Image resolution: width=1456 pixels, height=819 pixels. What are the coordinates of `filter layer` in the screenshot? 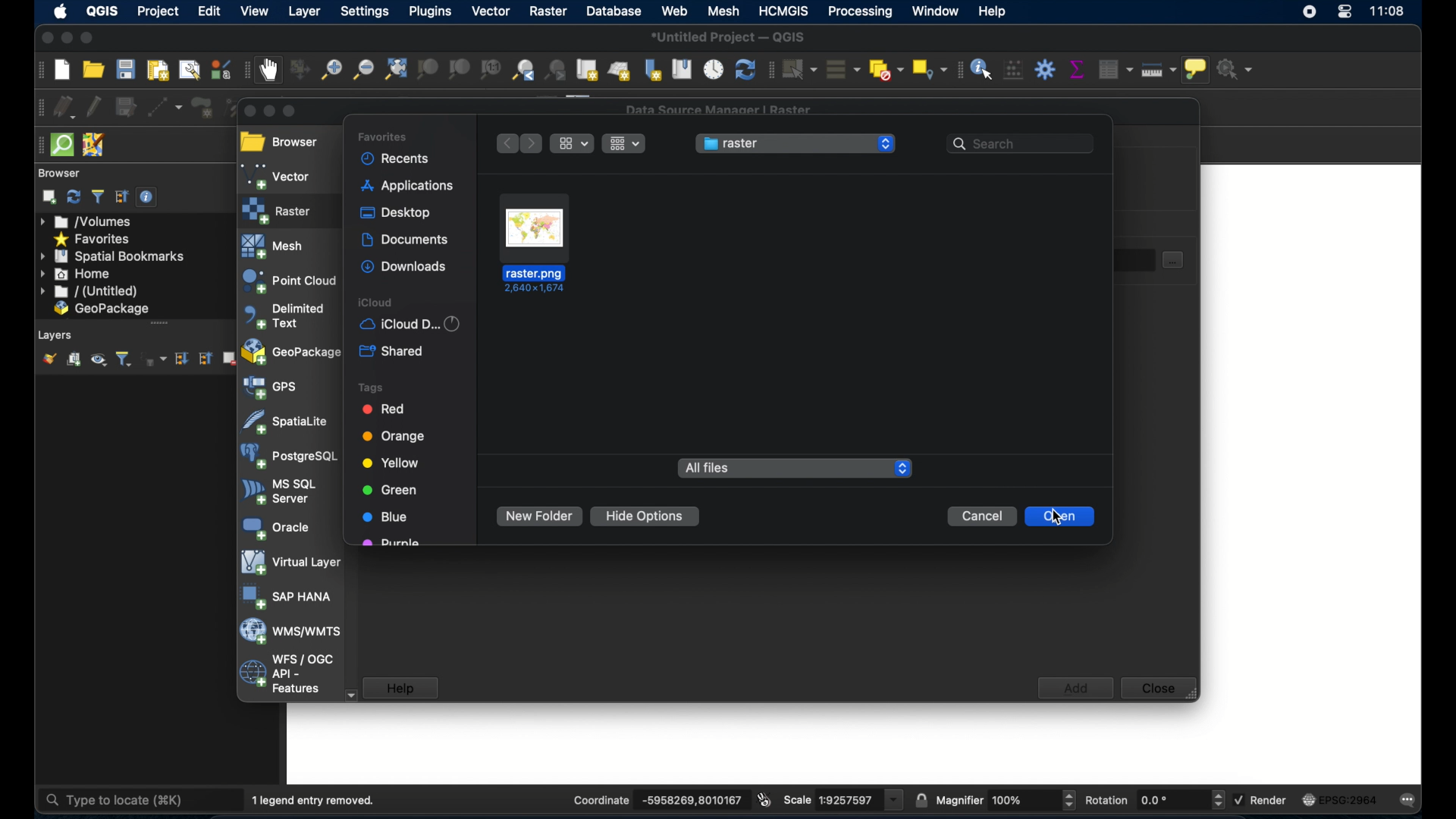 It's located at (124, 359).